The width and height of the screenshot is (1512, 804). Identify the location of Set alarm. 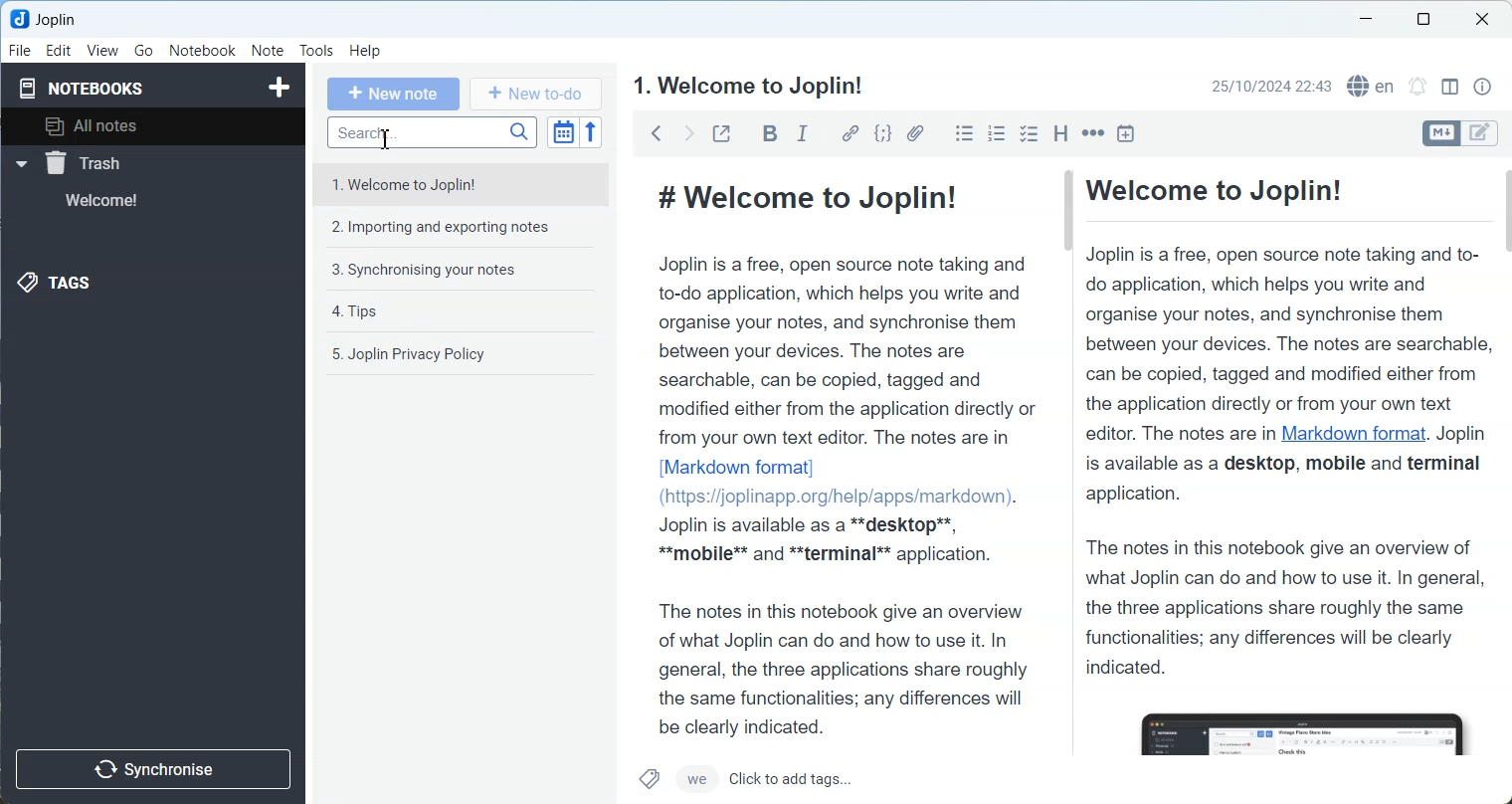
(1417, 85).